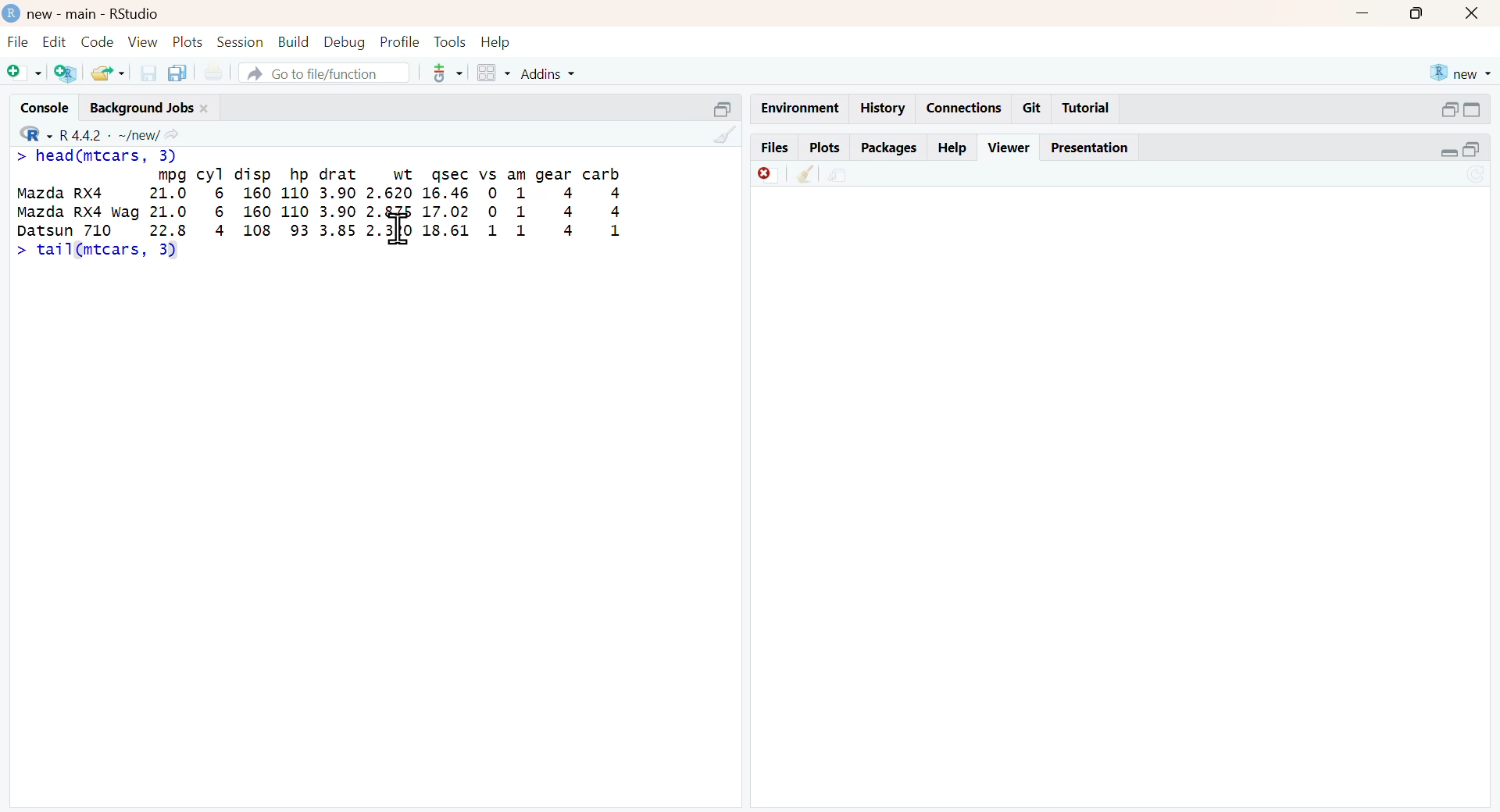 Image resolution: width=1500 pixels, height=812 pixels. Describe the element at coordinates (129, 134) in the screenshot. I see `v R442 - ~/new/` at that location.